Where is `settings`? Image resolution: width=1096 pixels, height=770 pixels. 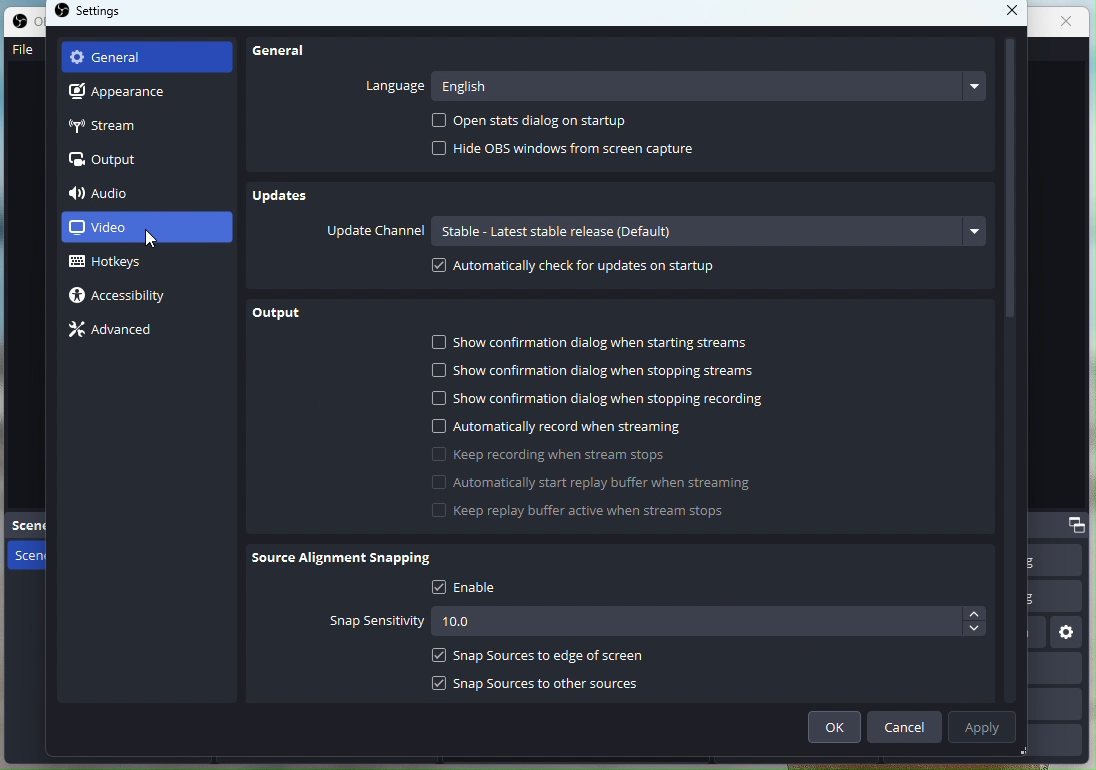 settings is located at coordinates (1068, 633).